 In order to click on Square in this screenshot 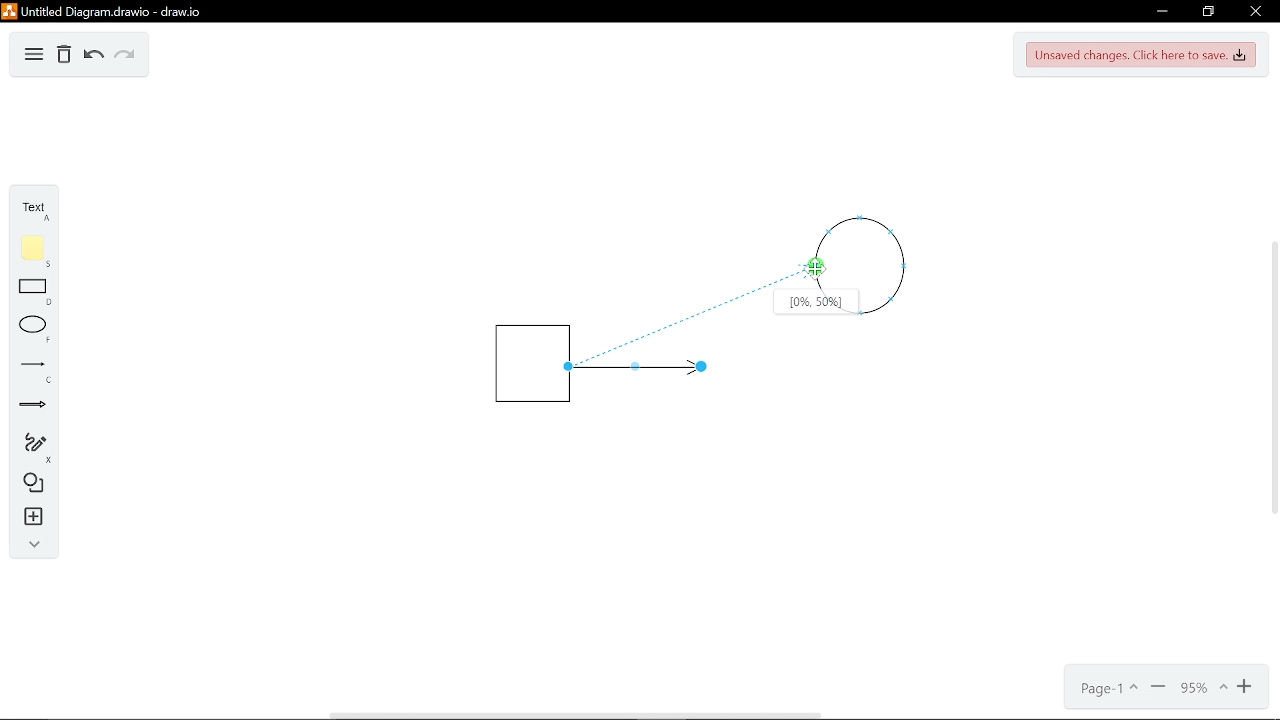, I will do `click(513, 367)`.